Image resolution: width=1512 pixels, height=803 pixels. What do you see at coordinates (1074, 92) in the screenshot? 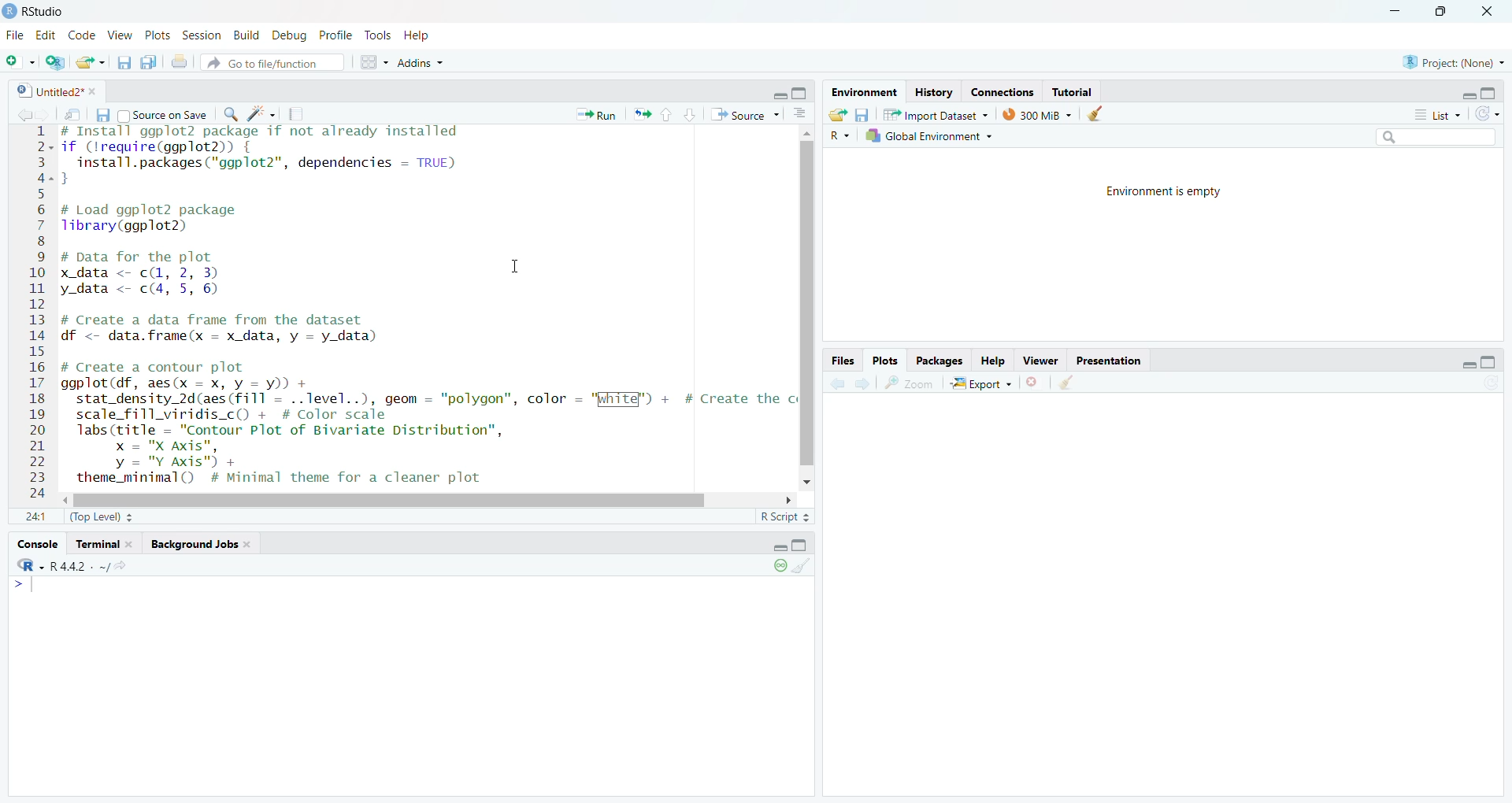
I see `Tutorial` at bounding box center [1074, 92].